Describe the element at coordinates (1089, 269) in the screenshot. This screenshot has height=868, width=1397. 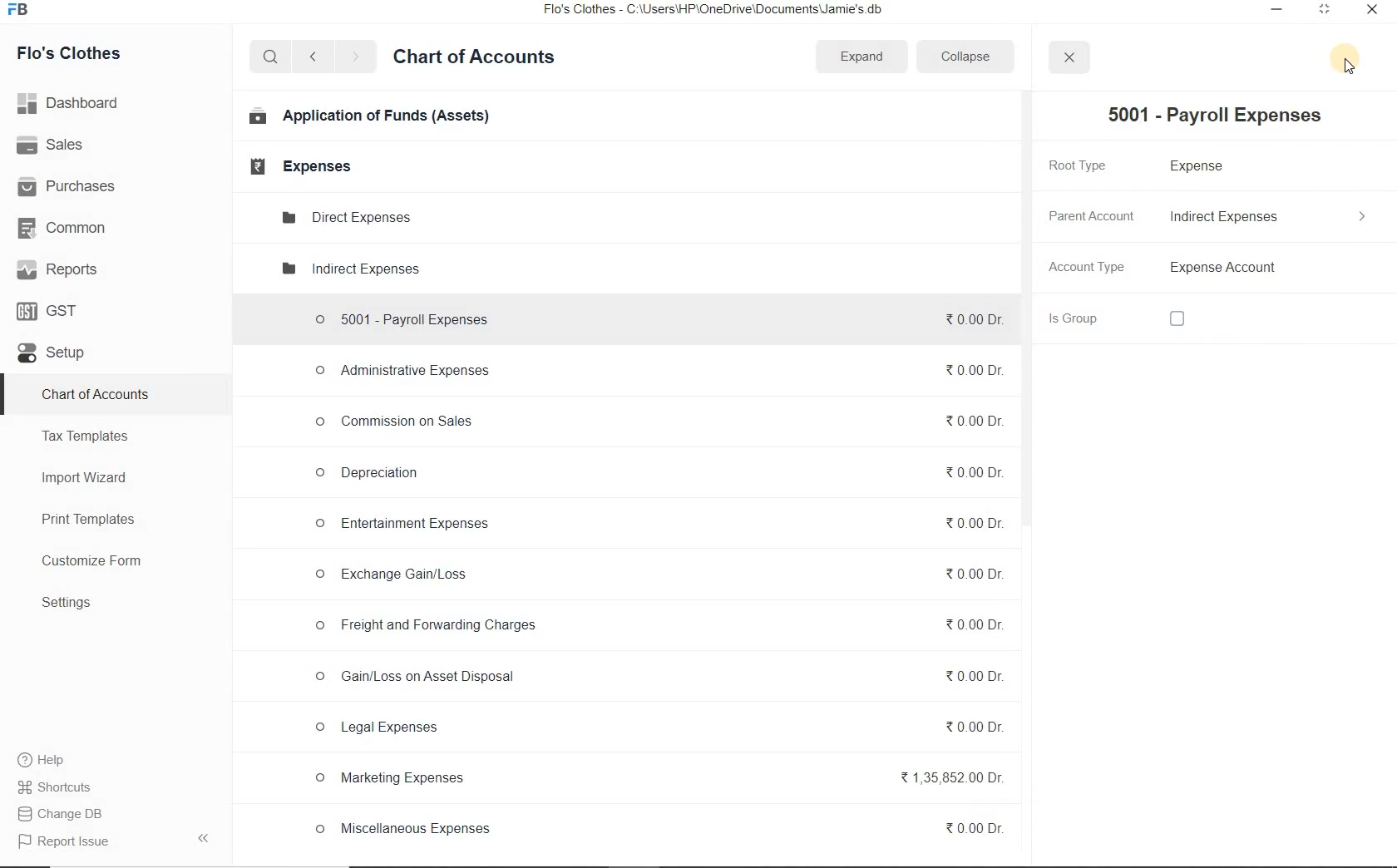
I see `Account Type` at that location.